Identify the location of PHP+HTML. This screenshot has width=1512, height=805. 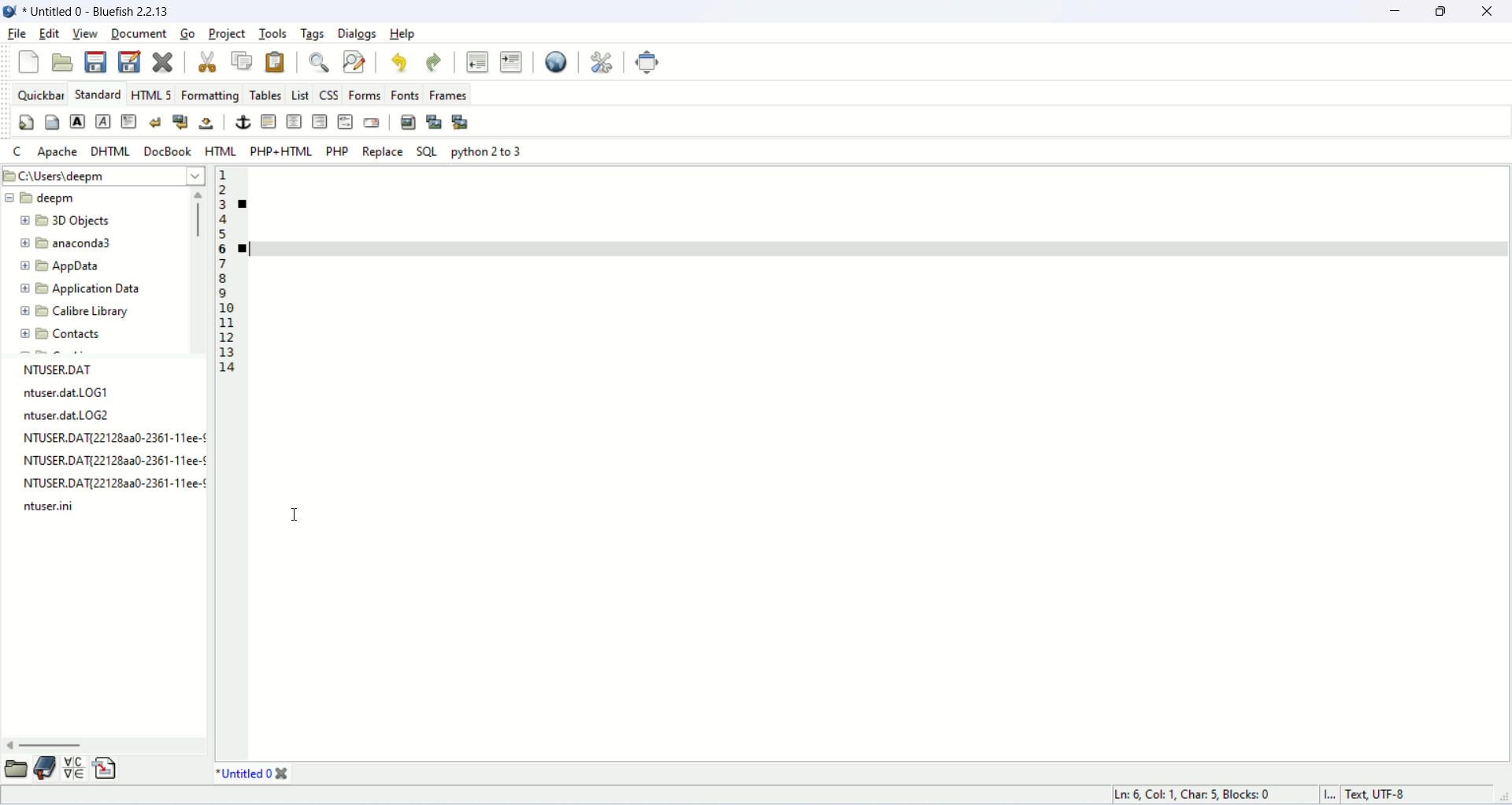
(281, 150).